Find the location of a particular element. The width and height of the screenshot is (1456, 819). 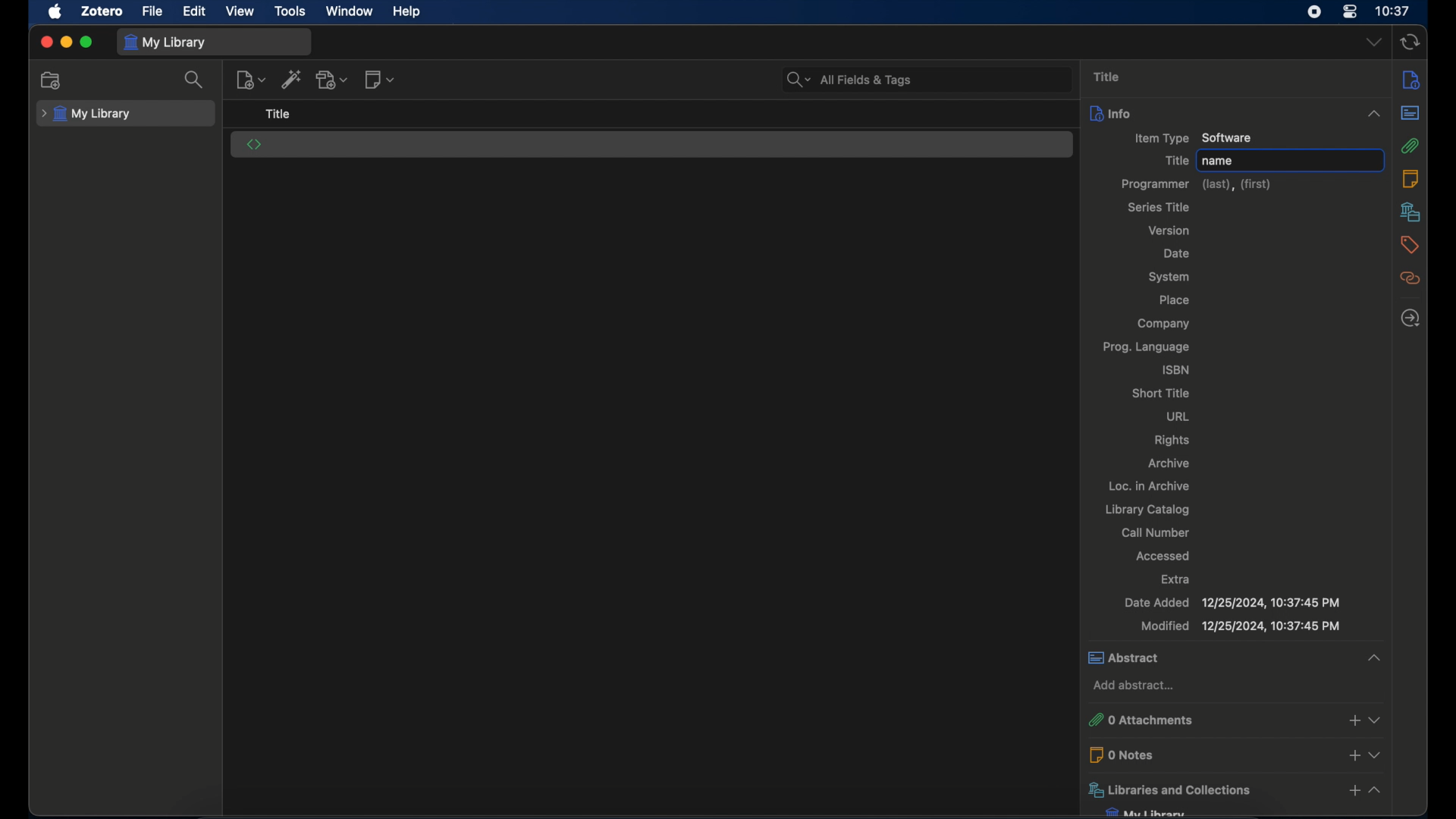

company is located at coordinates (1163, 324).